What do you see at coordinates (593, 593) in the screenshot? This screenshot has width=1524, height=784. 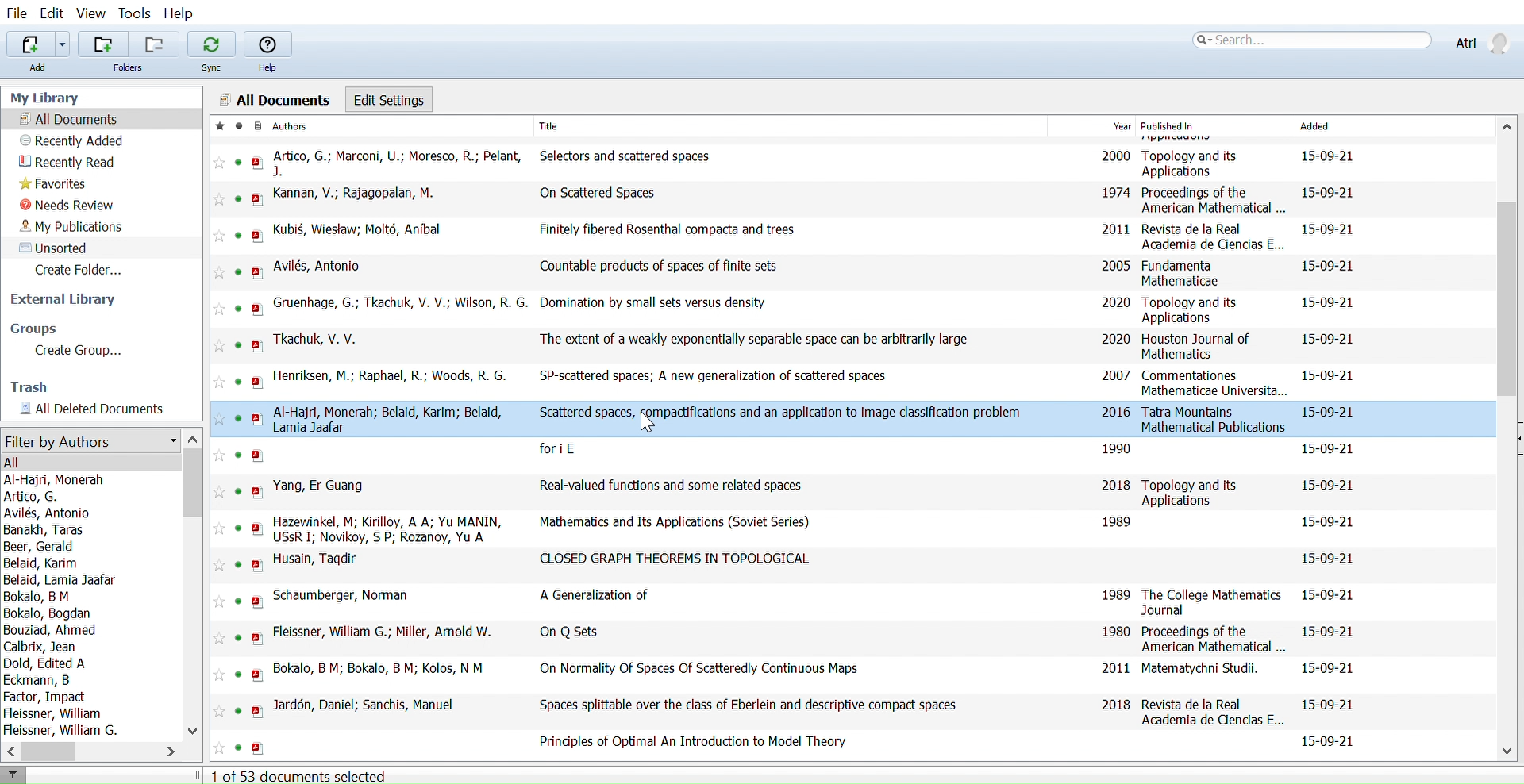 I see `A Generalization of` at bounding box center [593, 593].